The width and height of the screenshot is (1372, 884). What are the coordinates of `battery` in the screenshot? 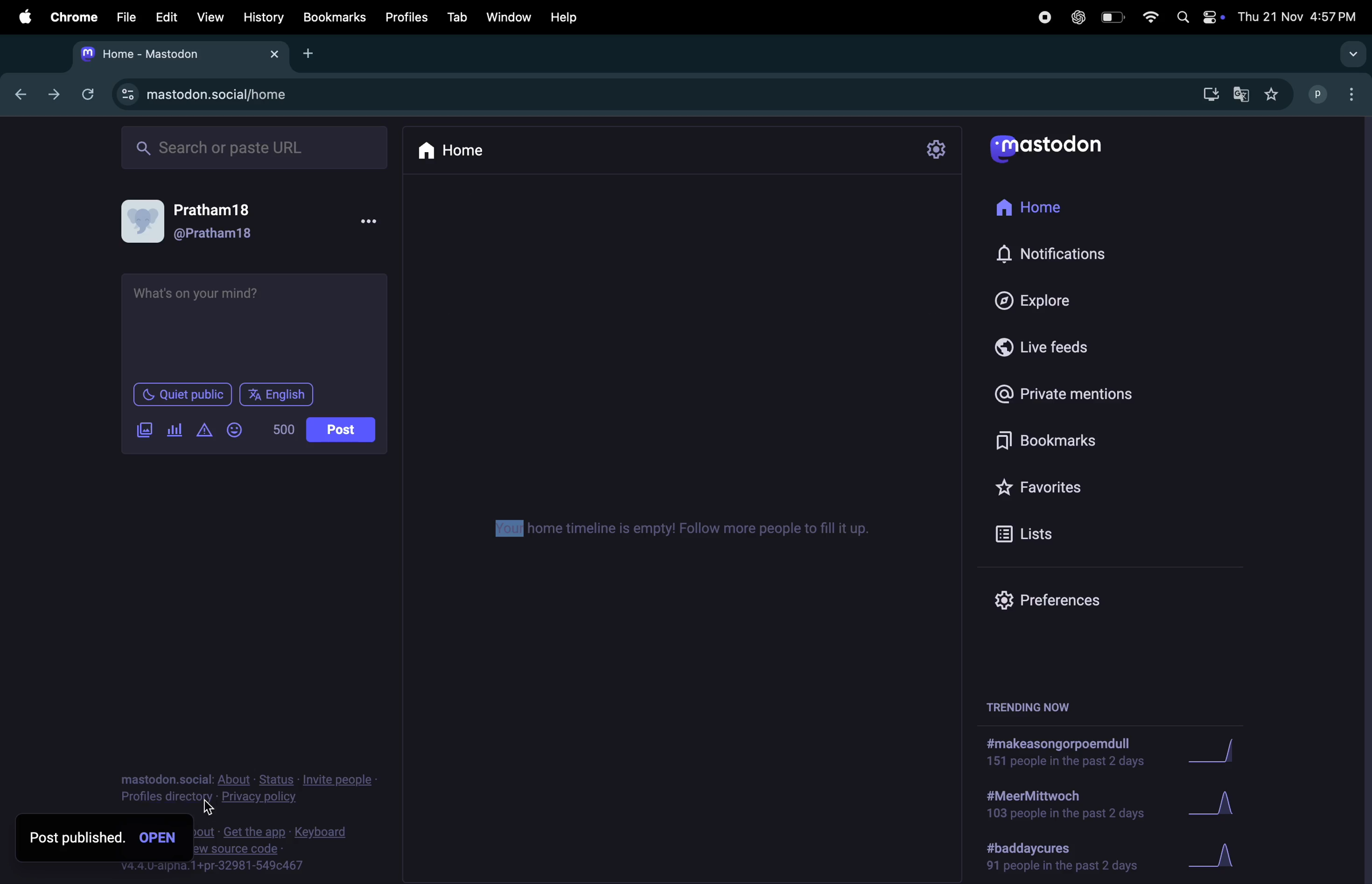 It's located at (1111, 19).